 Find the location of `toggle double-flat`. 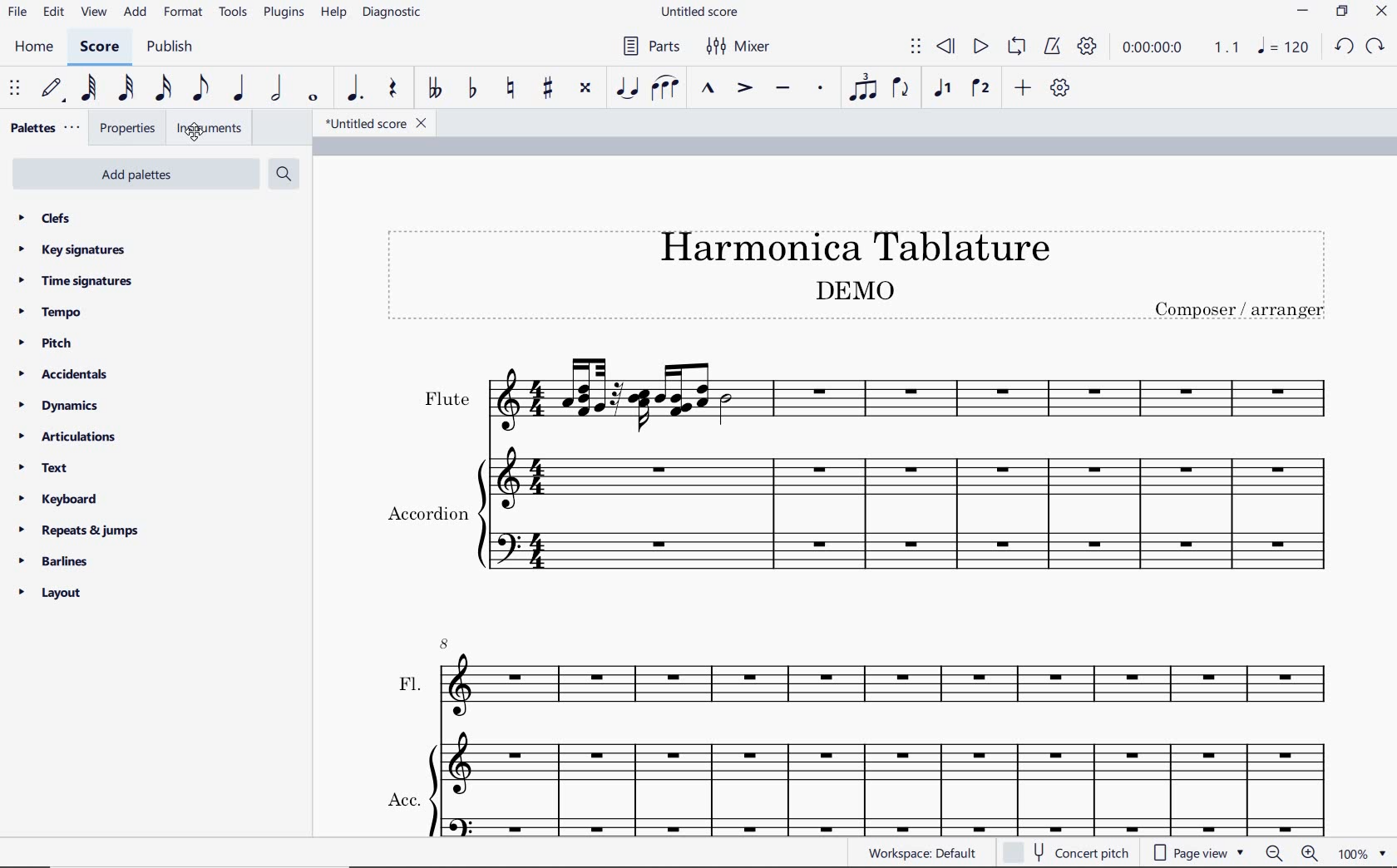

toggle double-flat is located at coordinates (433, 89).